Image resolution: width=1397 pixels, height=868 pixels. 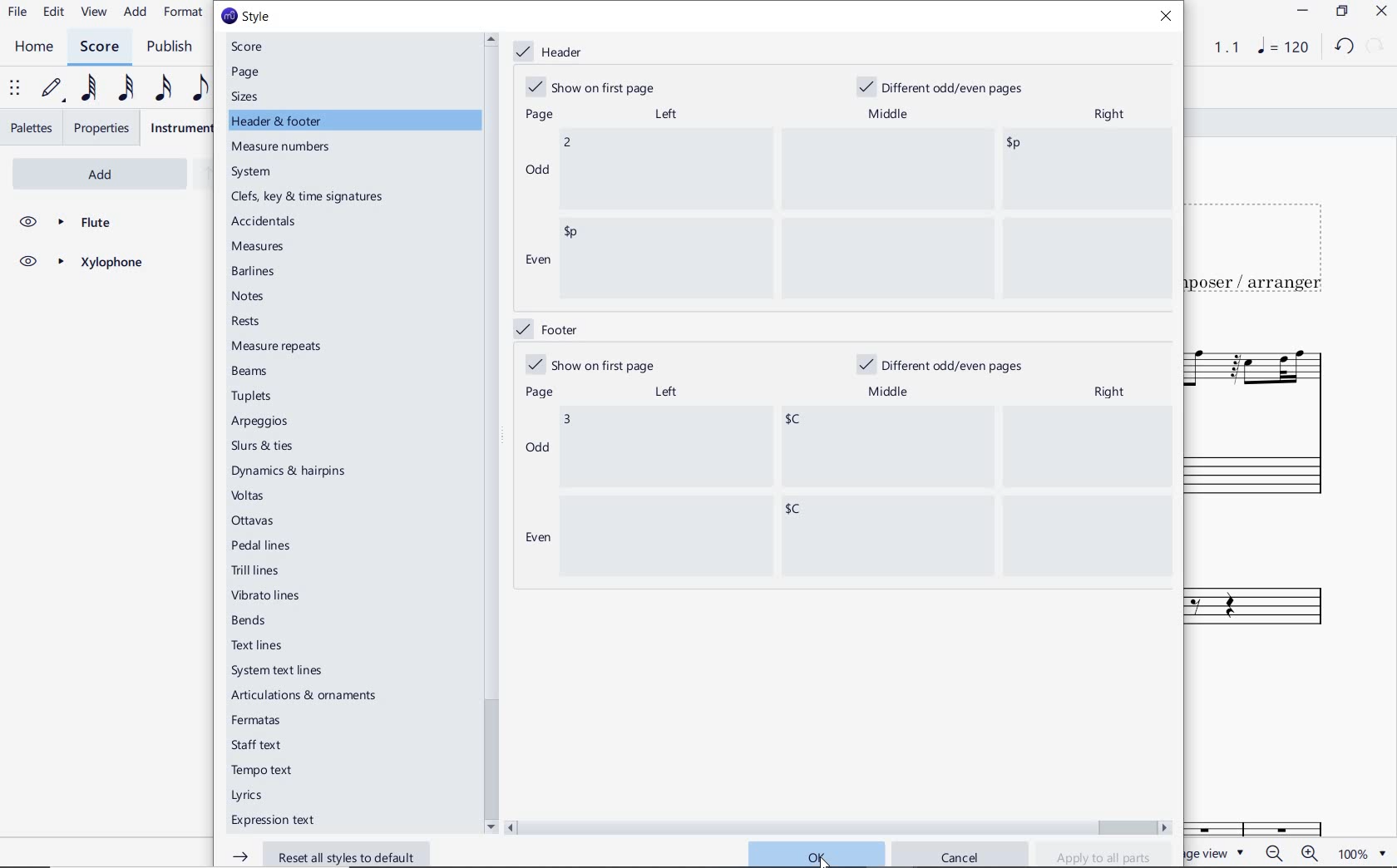 I want to click on 32ND NOTE, so click(x=124, y=86).